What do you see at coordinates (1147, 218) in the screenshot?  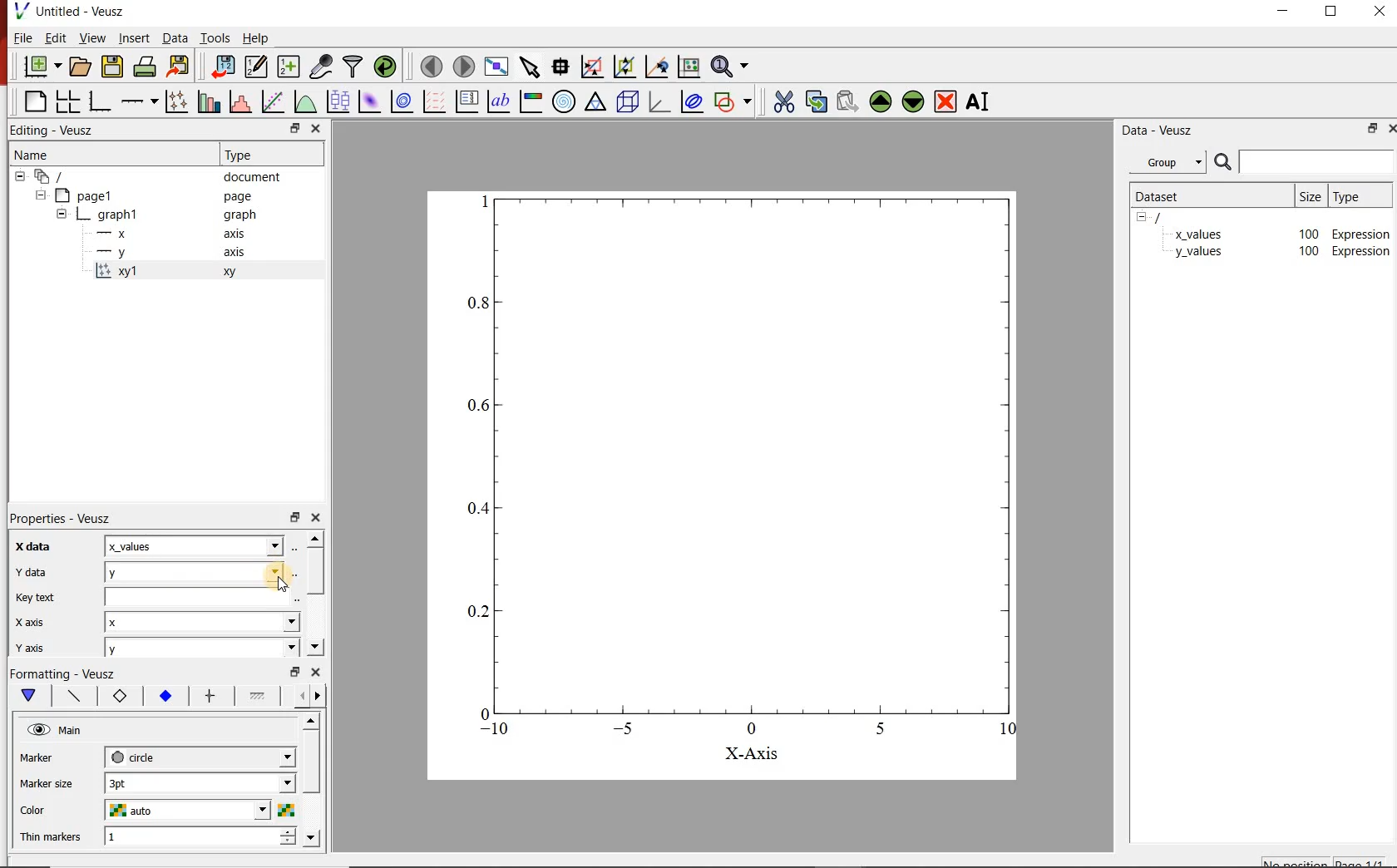 I see `hide` at bounding box center [1147, 218].